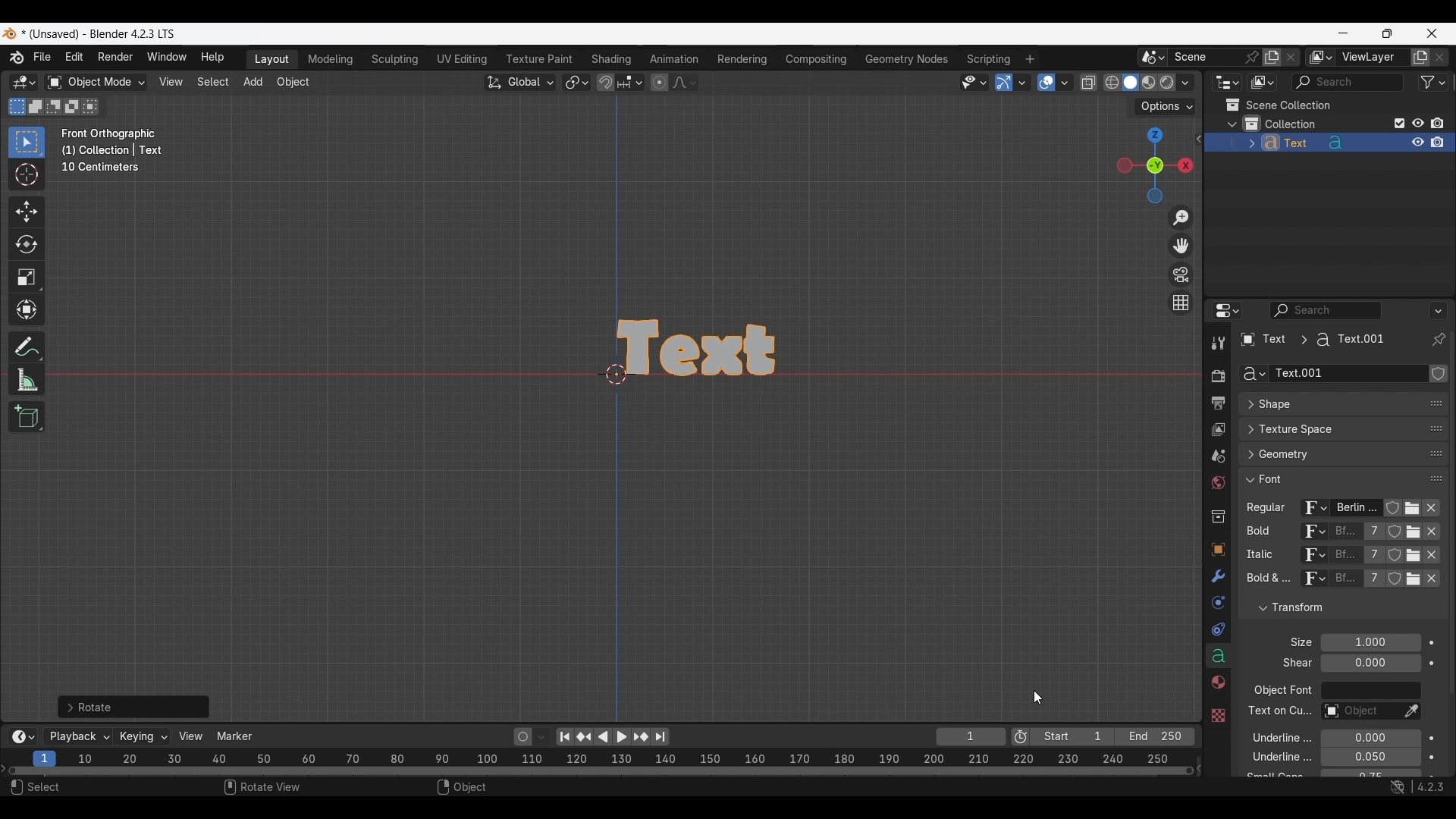  What do you see at coordinates (1197, 139) in the screenshot?
I see `Click to see more edit options` at bounding box center [1197, 139].